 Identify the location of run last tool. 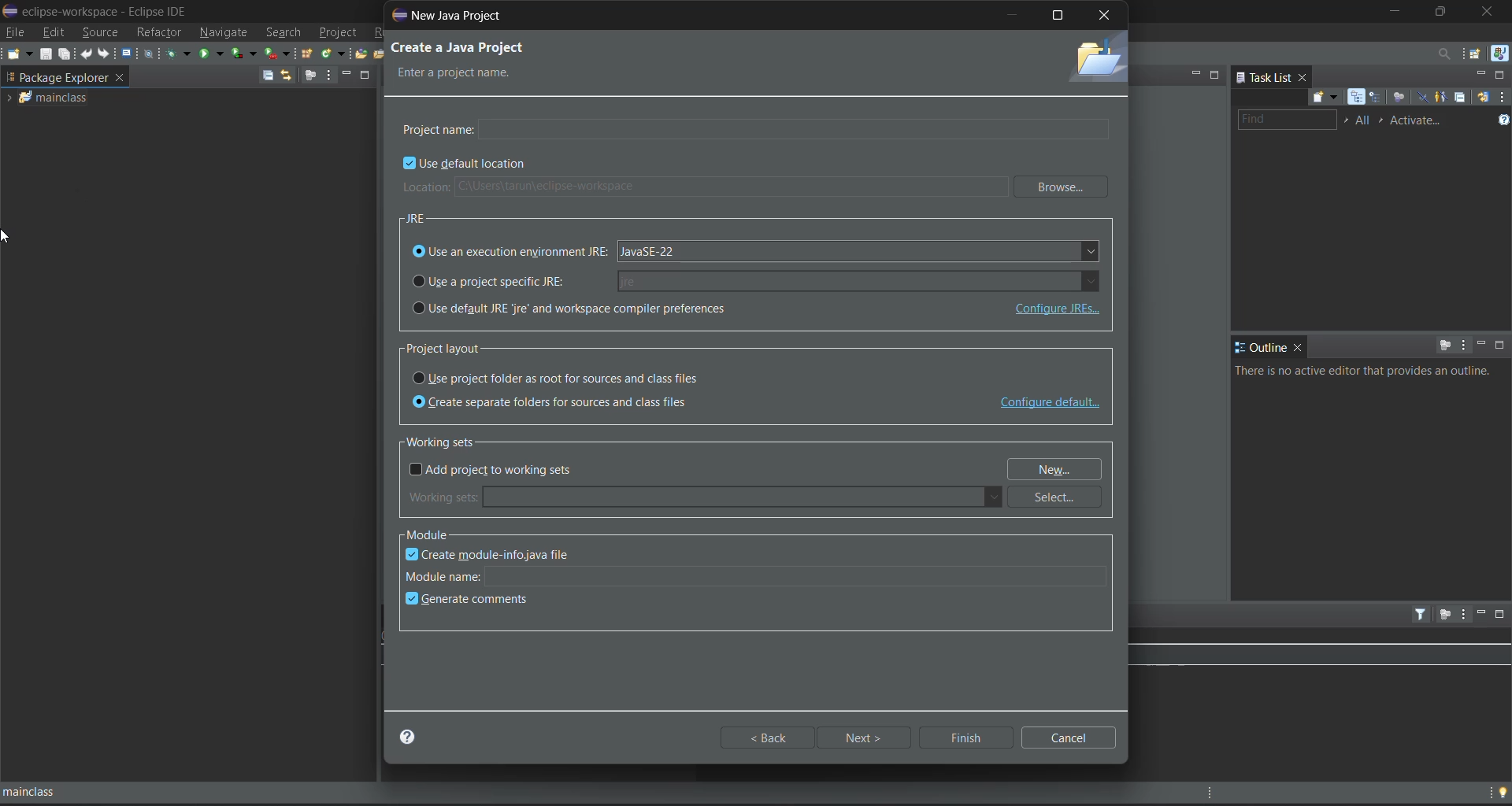
(276, 53).